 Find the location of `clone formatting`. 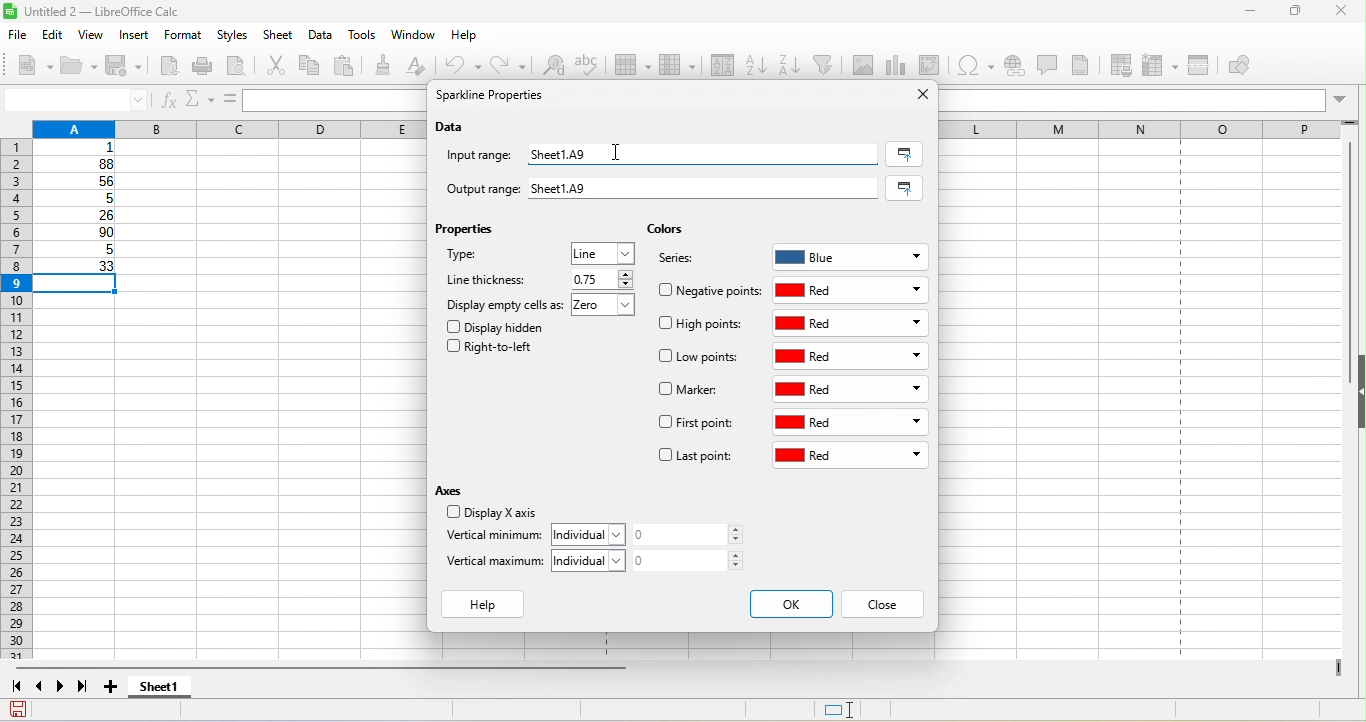

clone formatting is located at coordinates (387, 65).